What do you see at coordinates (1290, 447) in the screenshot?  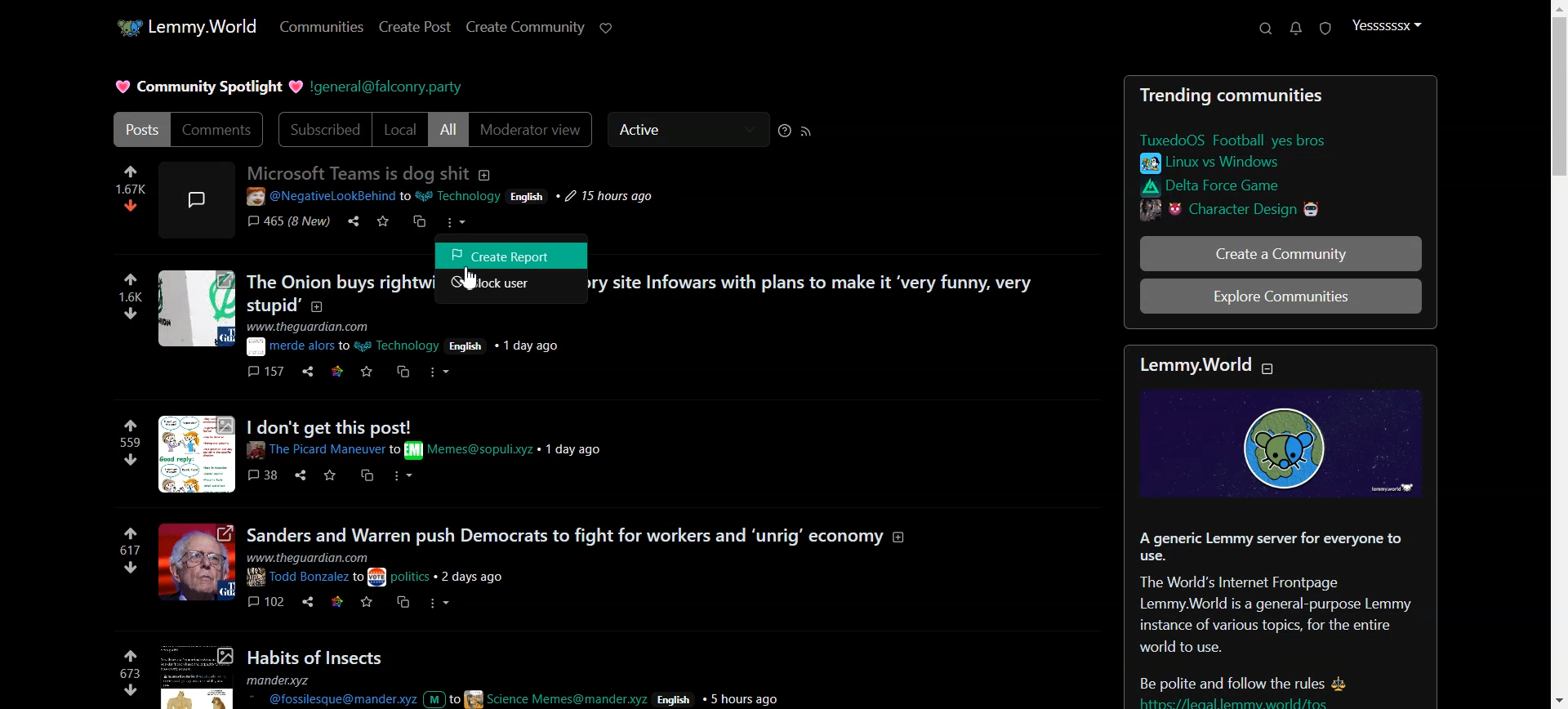 I see `image` at bounding box center [1290, 447].